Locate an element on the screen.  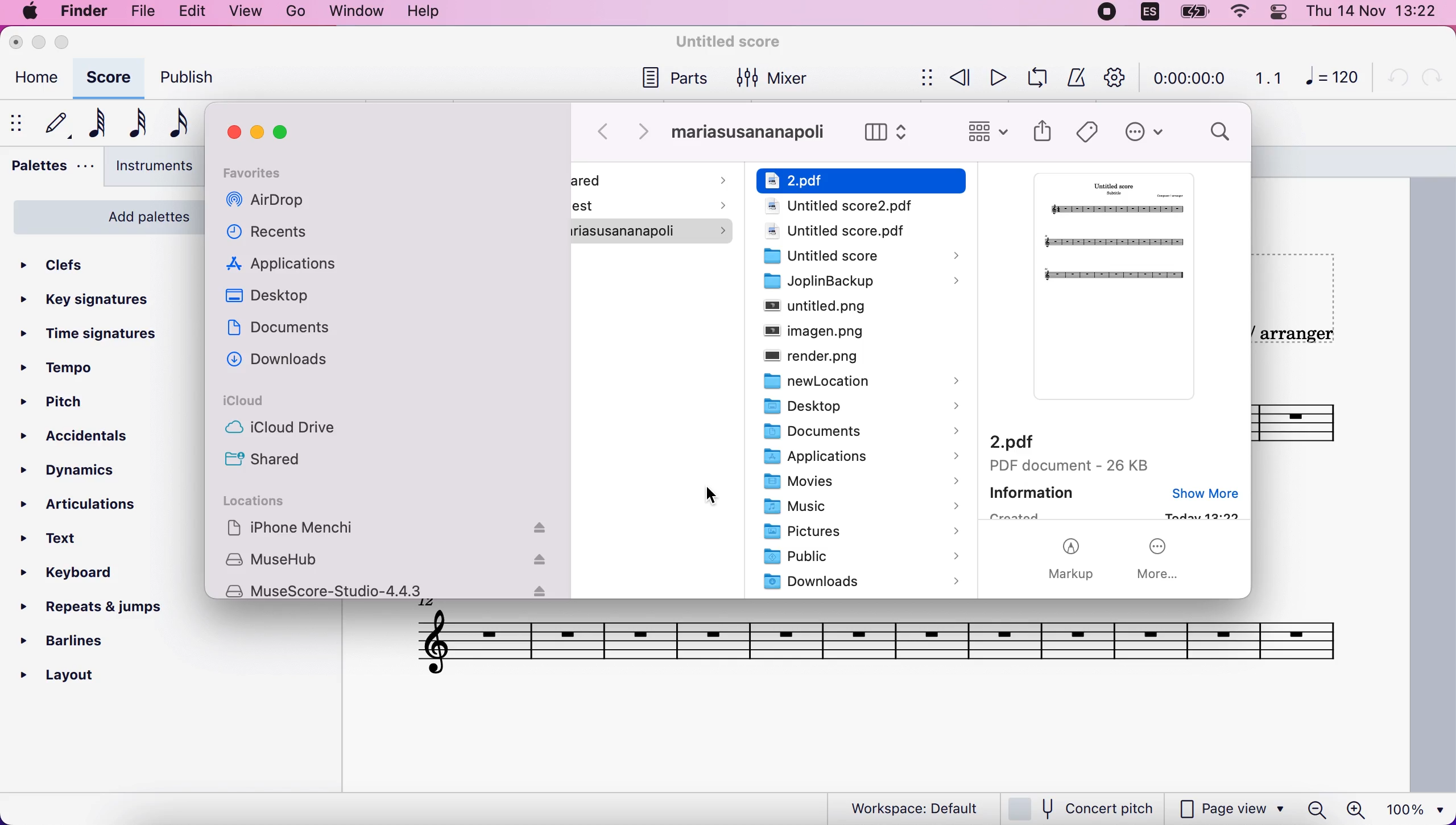
redo is located at coordinates (1432, 81).